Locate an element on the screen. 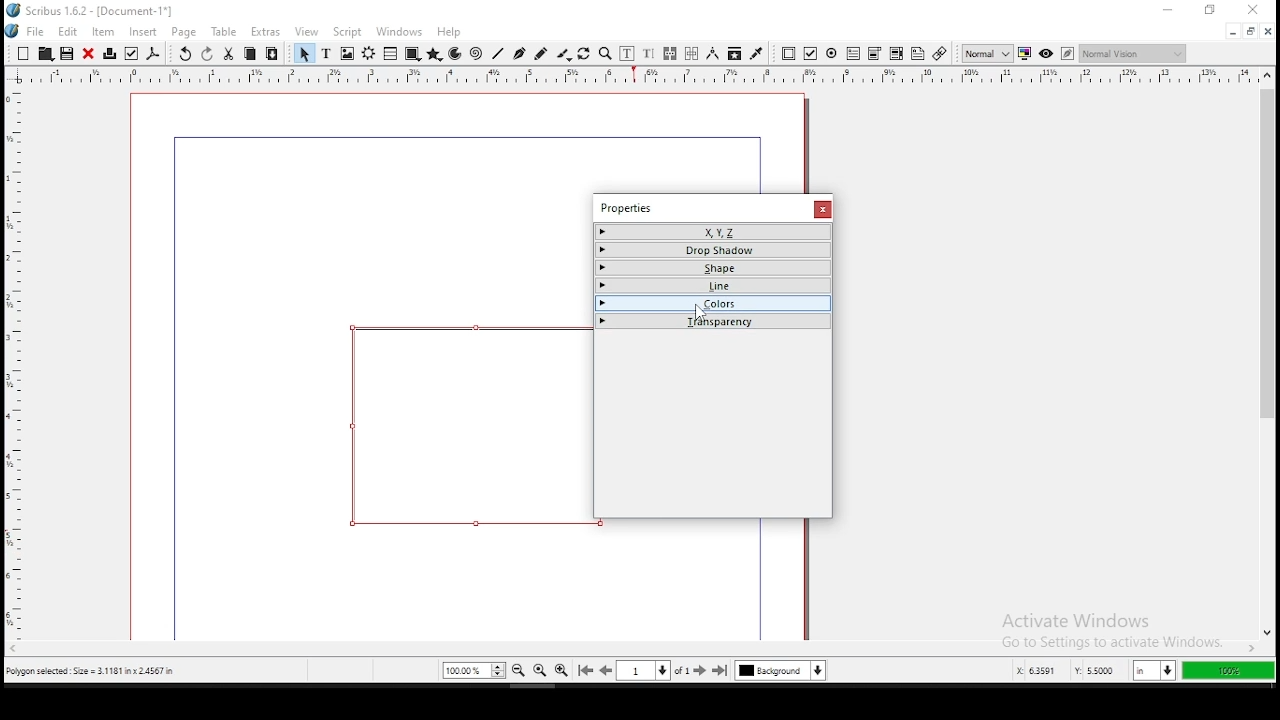  cursor is located at coordinates (699, 313).